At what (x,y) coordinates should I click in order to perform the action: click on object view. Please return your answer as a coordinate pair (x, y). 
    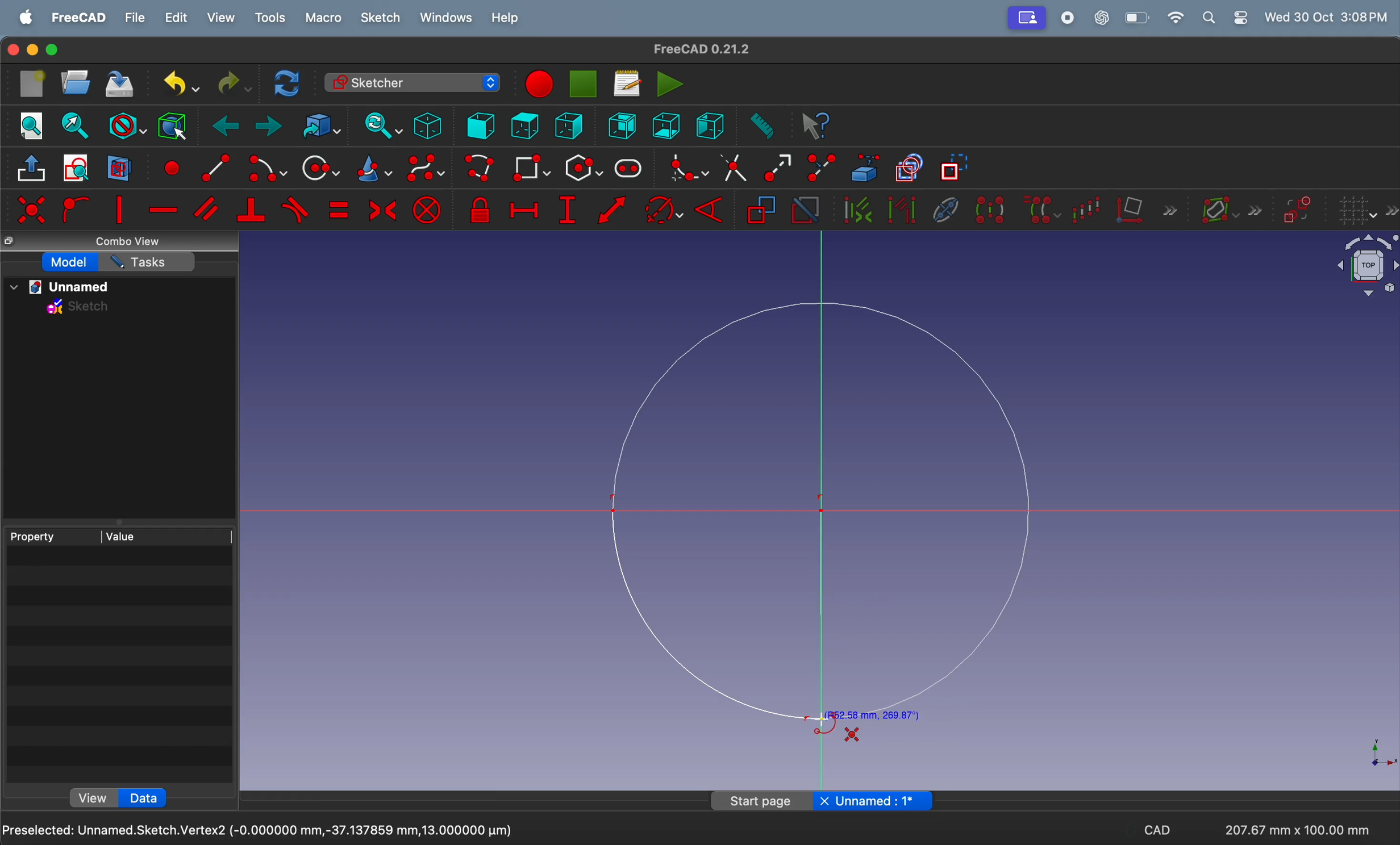
    Looking at the image, I should click on (1357, 268).